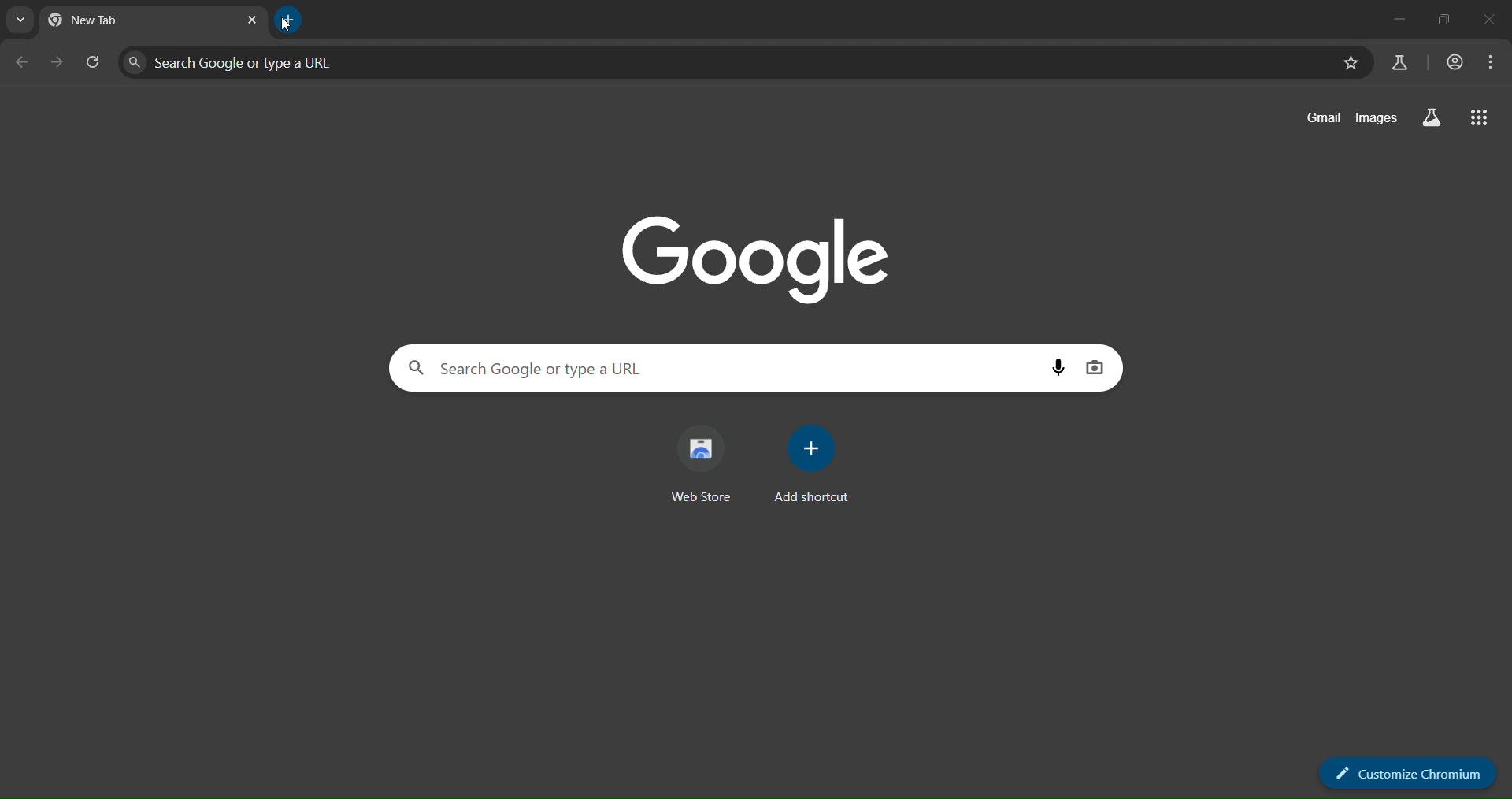  Describe the element at coordinates (1378, 118) in the screenshot. I see `images` at that location.